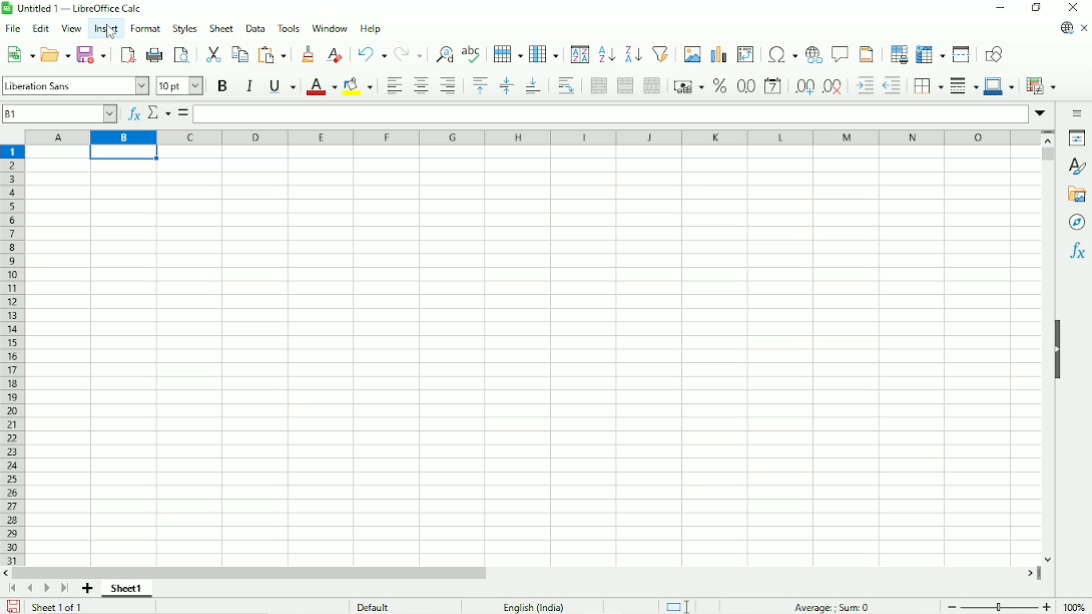  I want to click on Insert hyperlink, so click(813, 53).